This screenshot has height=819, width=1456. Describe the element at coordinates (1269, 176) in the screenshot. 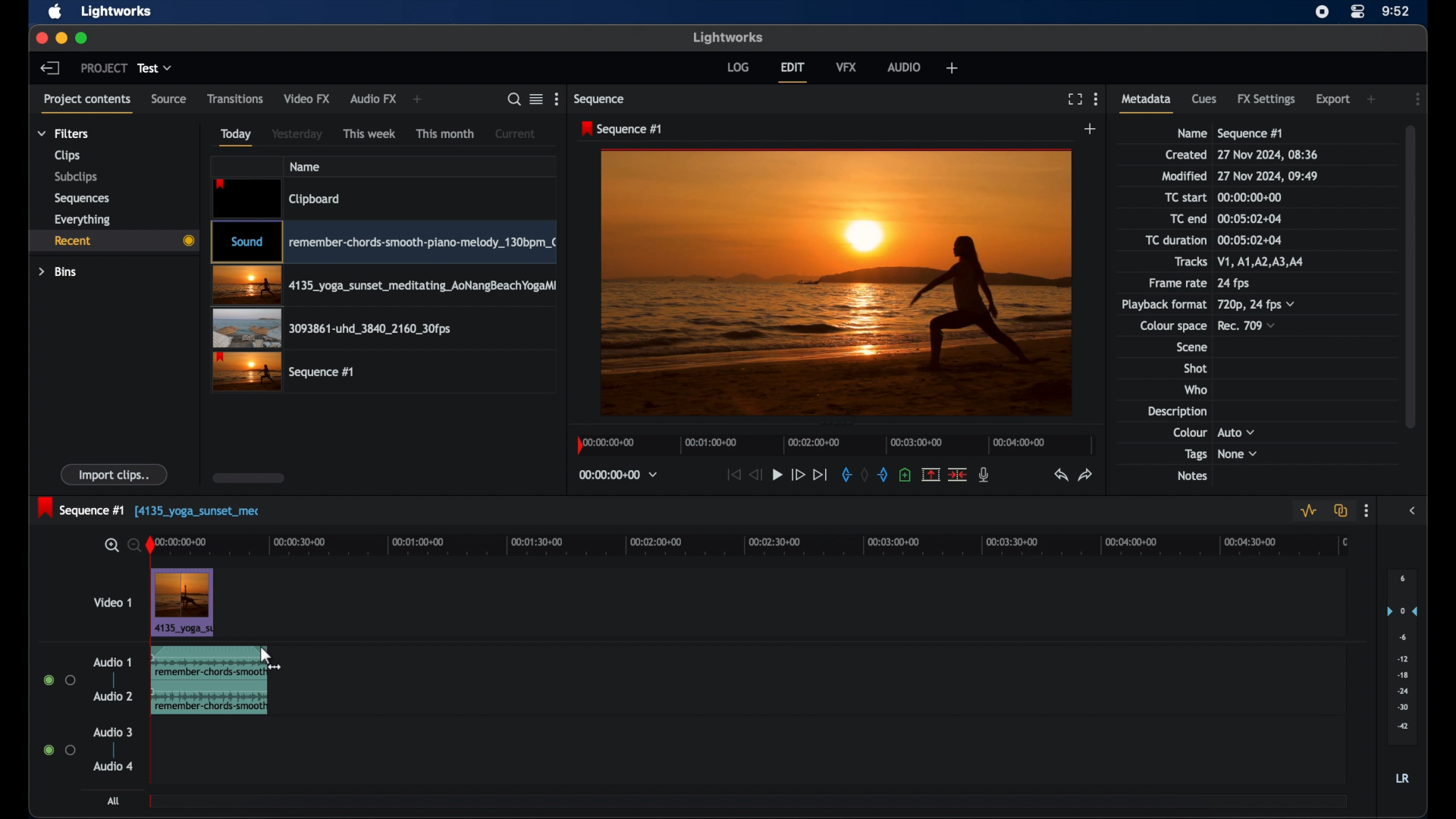

I see `modified` at that location.